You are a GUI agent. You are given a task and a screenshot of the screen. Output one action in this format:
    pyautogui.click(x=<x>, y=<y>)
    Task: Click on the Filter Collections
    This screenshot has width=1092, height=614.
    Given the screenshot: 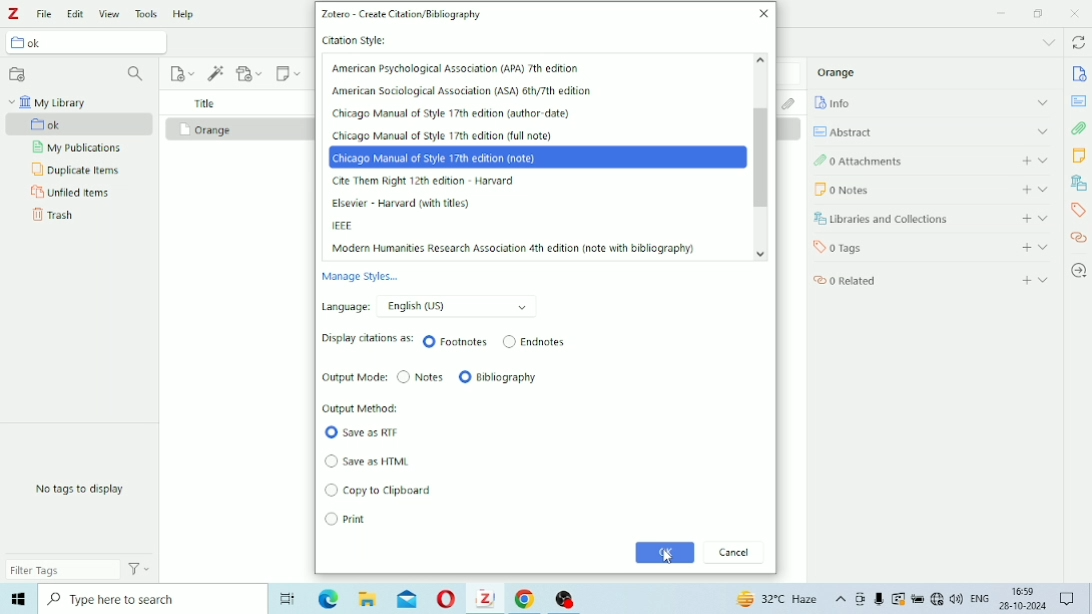 What is the action you would take?
    pyautogui.click(x=137, y=75)
    